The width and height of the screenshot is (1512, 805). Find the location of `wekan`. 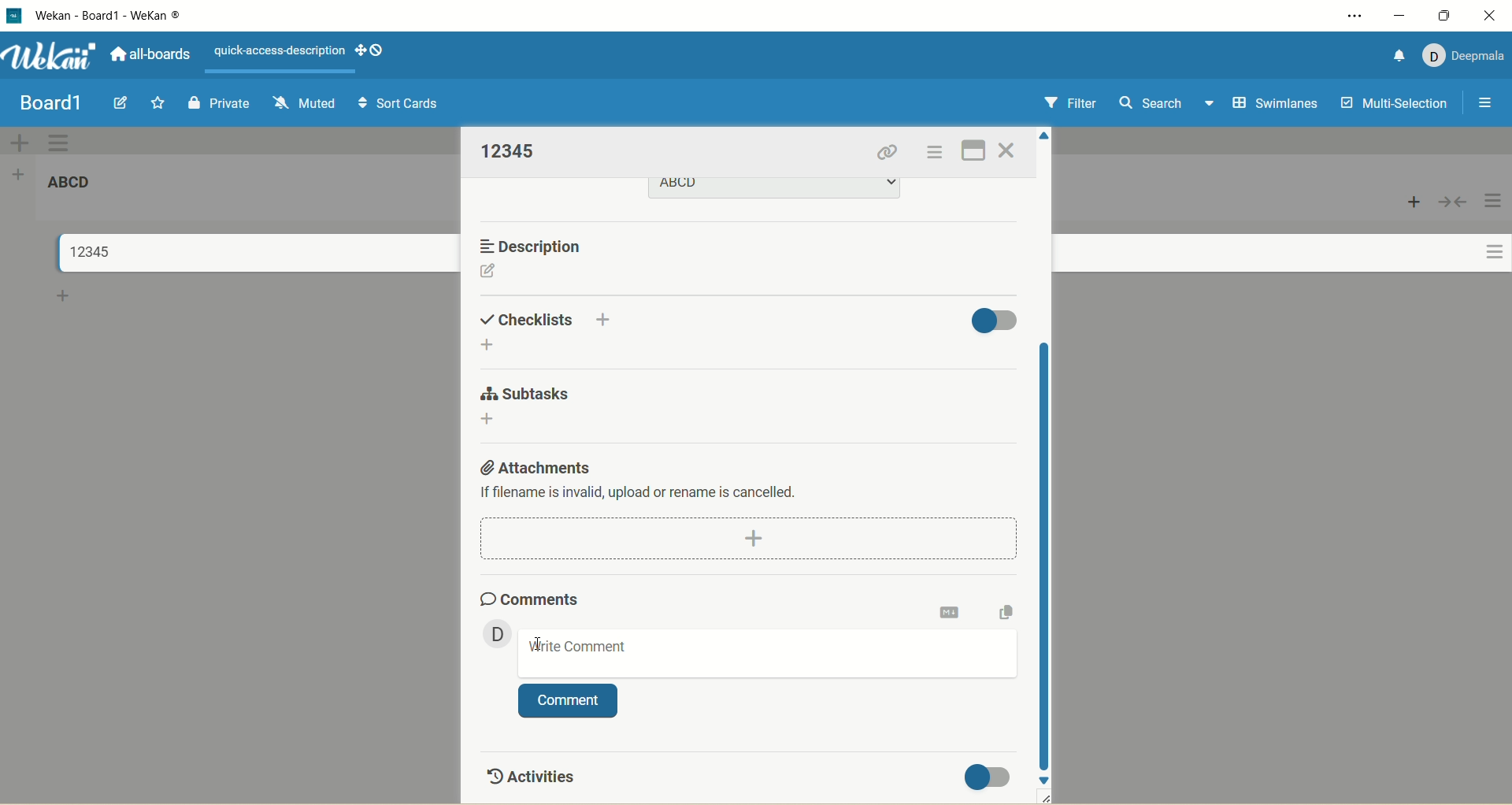

wekan is located at coordinates (51, 58).